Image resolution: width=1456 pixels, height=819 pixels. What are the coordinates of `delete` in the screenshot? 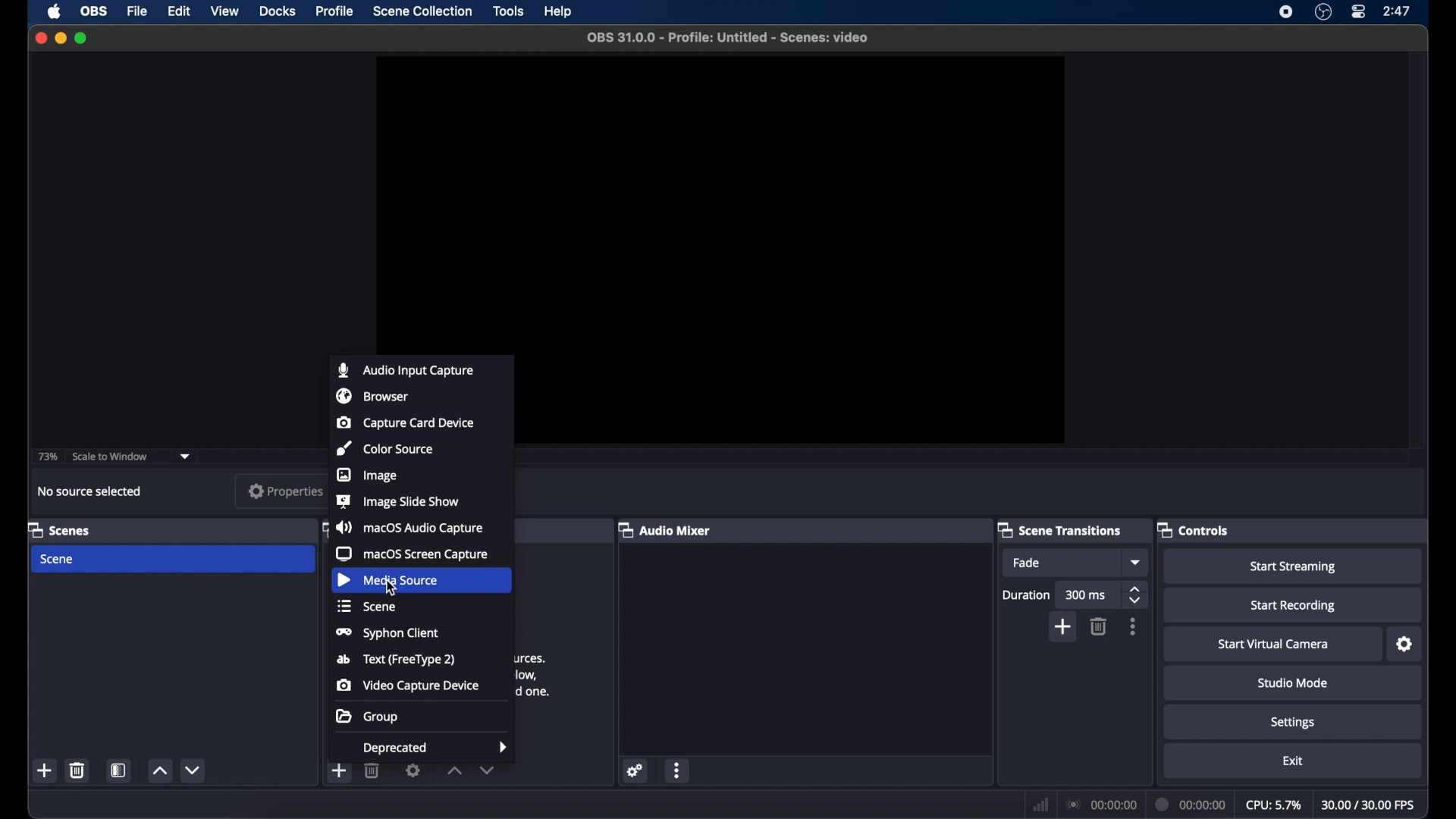 It's located at (372, 772).